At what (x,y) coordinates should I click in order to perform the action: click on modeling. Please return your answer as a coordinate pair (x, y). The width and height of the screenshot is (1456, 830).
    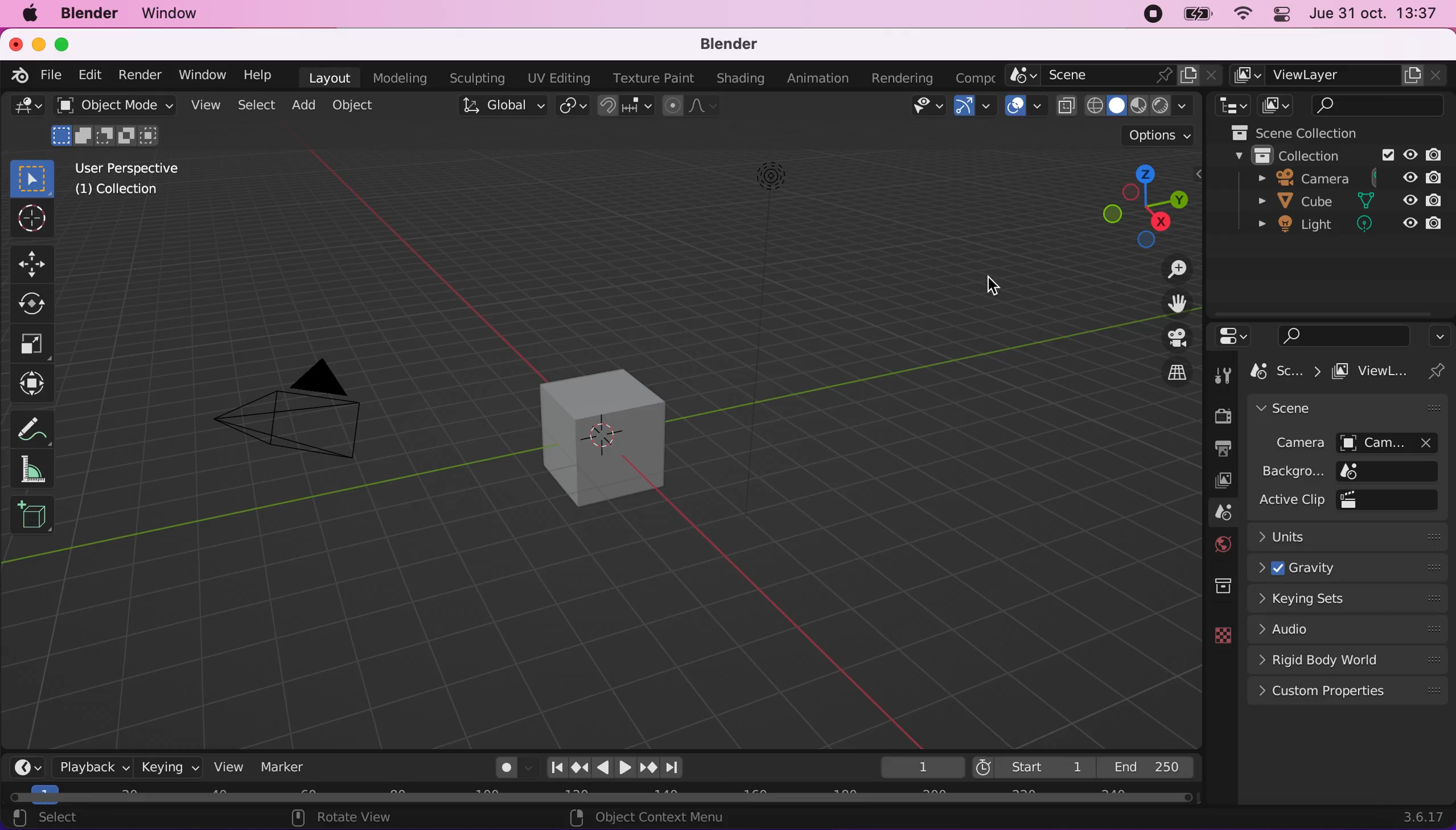
    Looking at the image, I should click on (401, 78).